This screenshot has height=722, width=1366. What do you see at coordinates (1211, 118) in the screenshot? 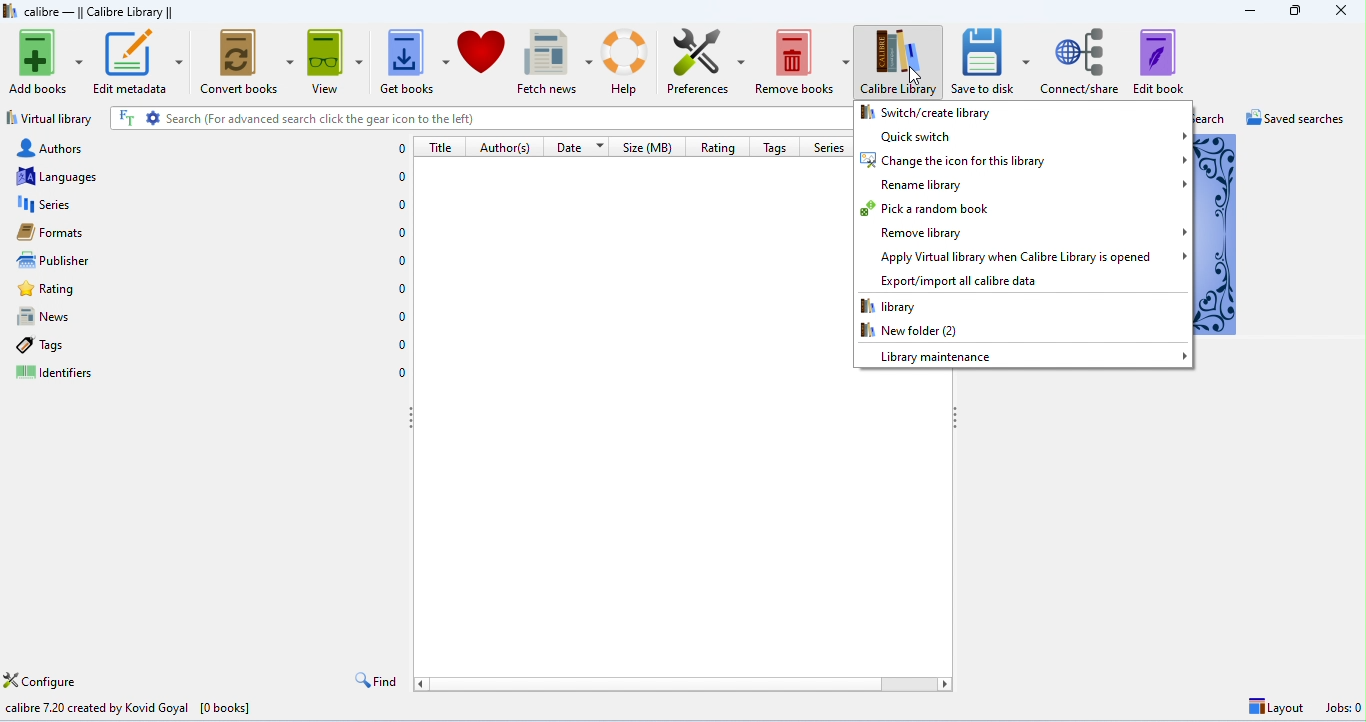
I see `search` at bounding box center [1211, 118].